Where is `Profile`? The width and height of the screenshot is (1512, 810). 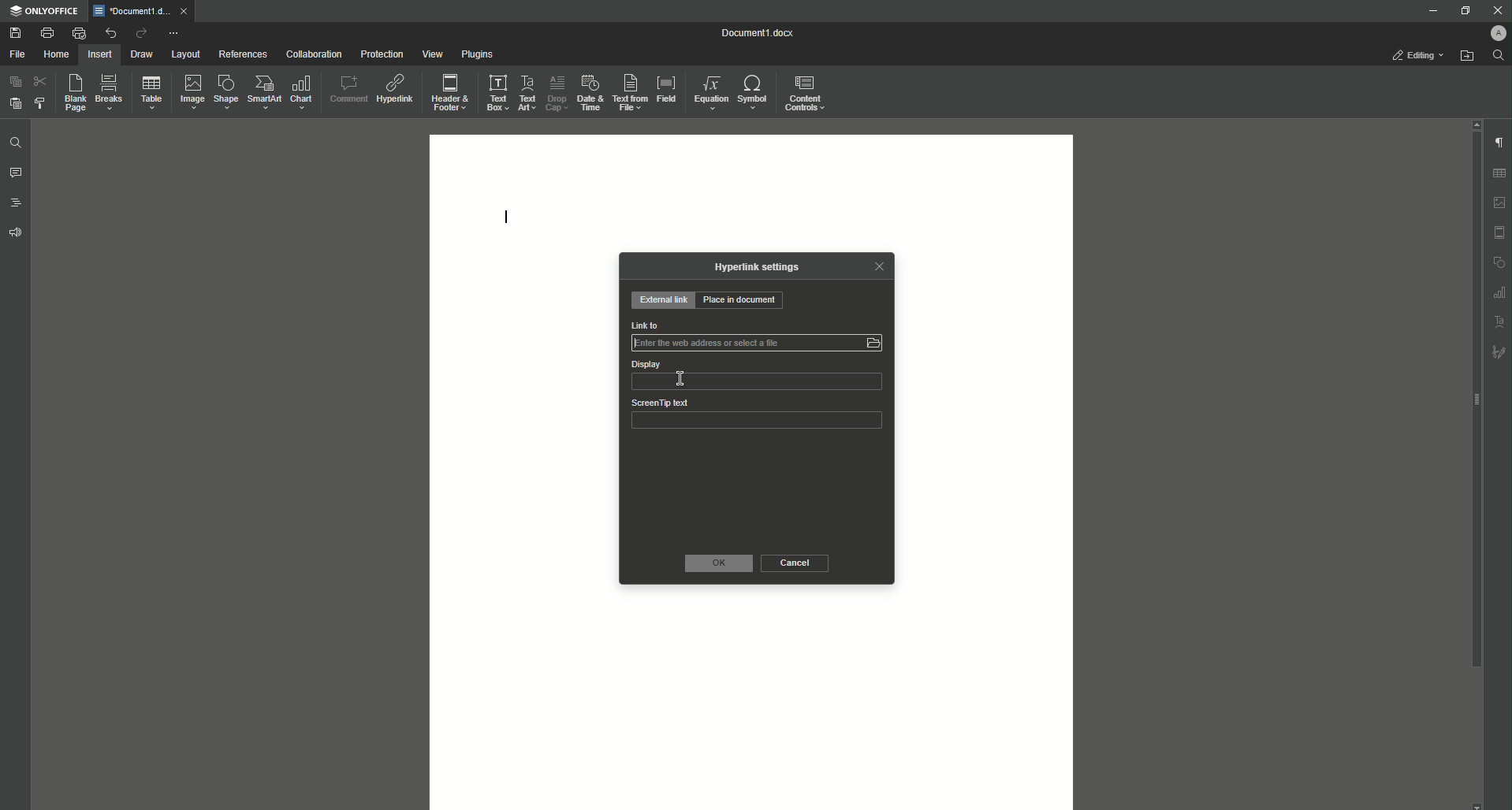
Profile is located at coordinates (1492, 33).